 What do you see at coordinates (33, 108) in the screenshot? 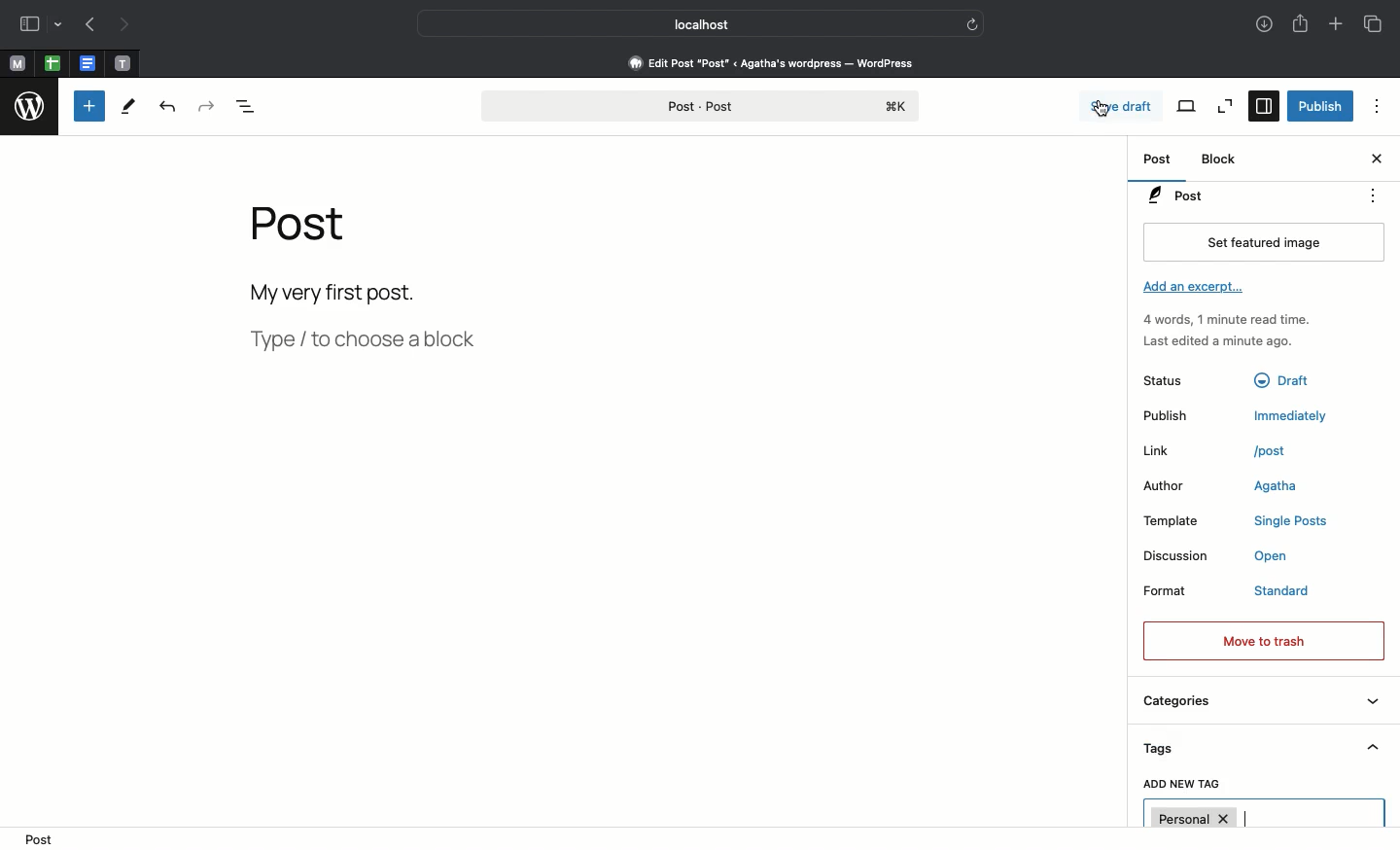
I see `wordpress logo` at bounding box center [33, 108].